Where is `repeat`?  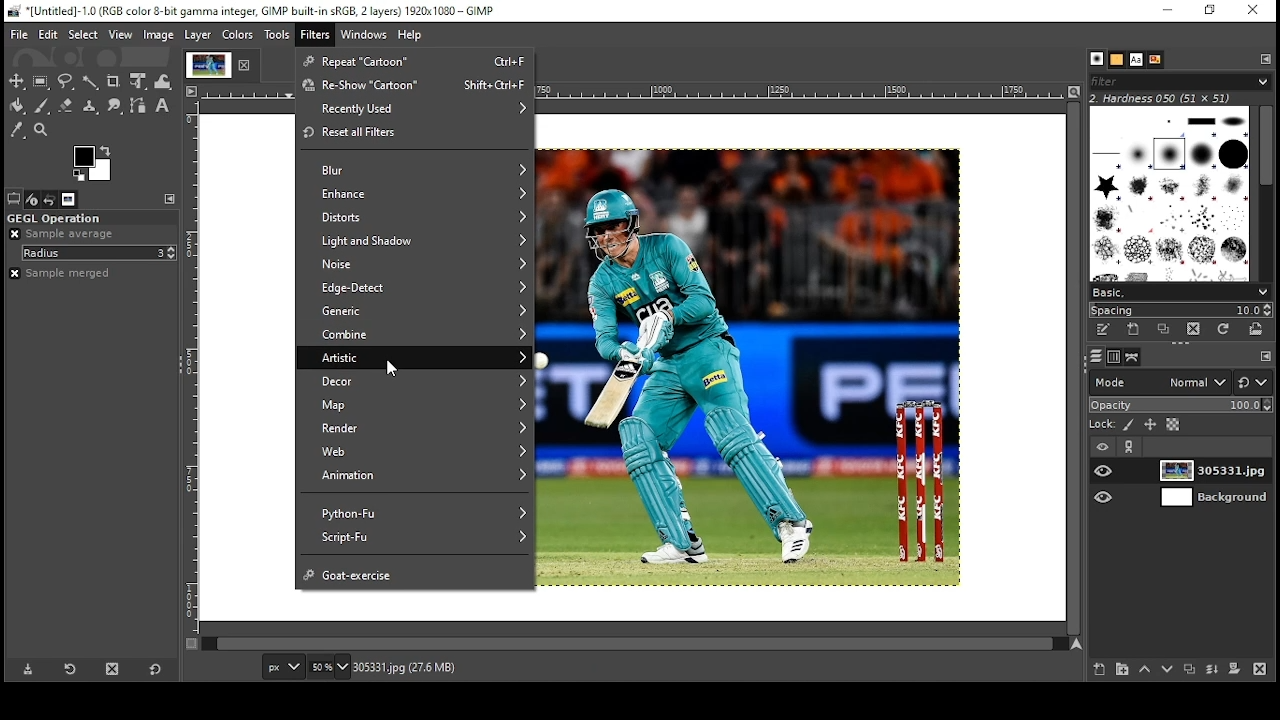
repeat is located at coordinates (417, 61).